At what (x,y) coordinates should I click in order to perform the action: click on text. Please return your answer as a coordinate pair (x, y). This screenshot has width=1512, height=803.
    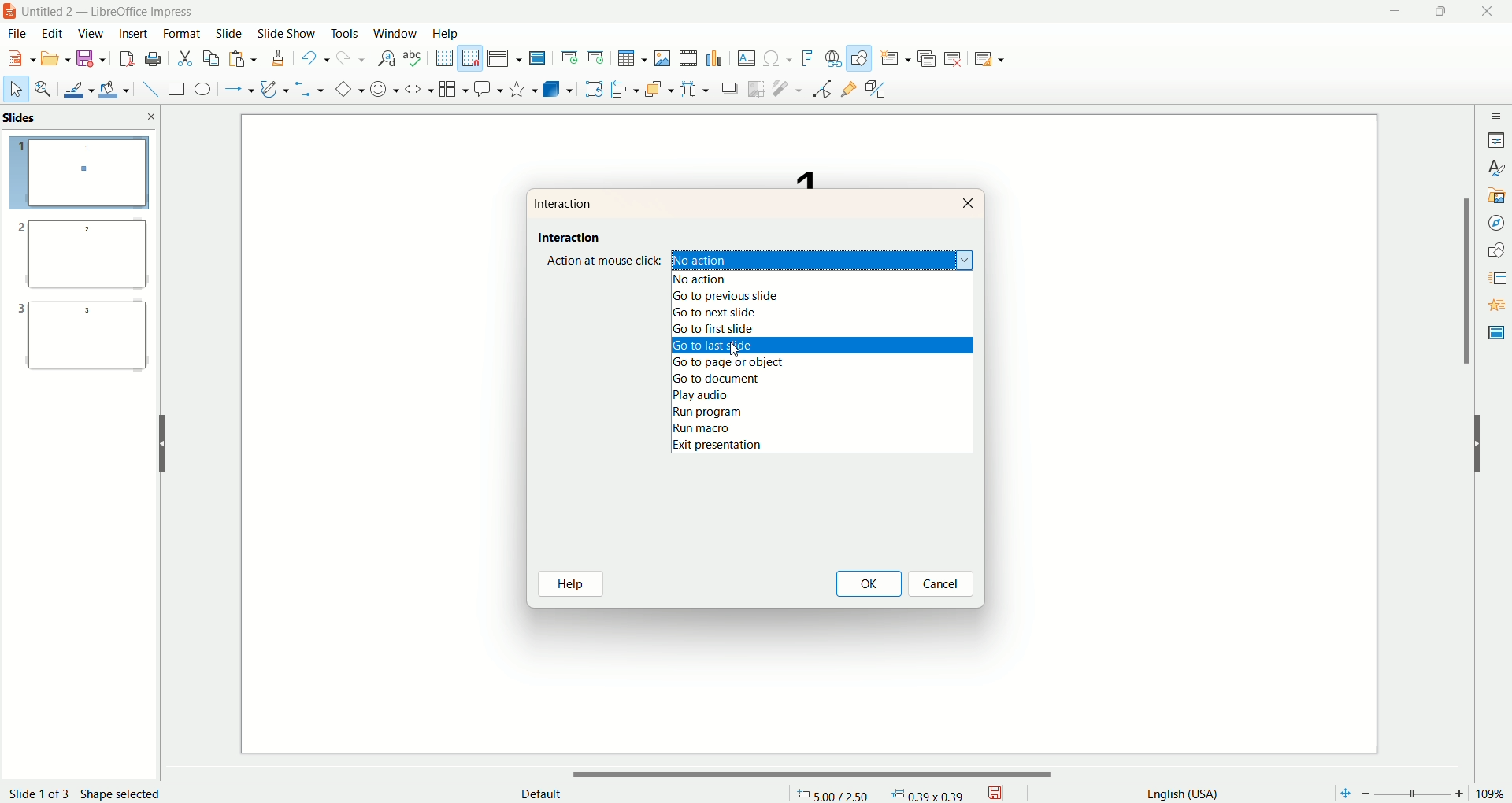
    Looking at the image, I should click on (795, 171).